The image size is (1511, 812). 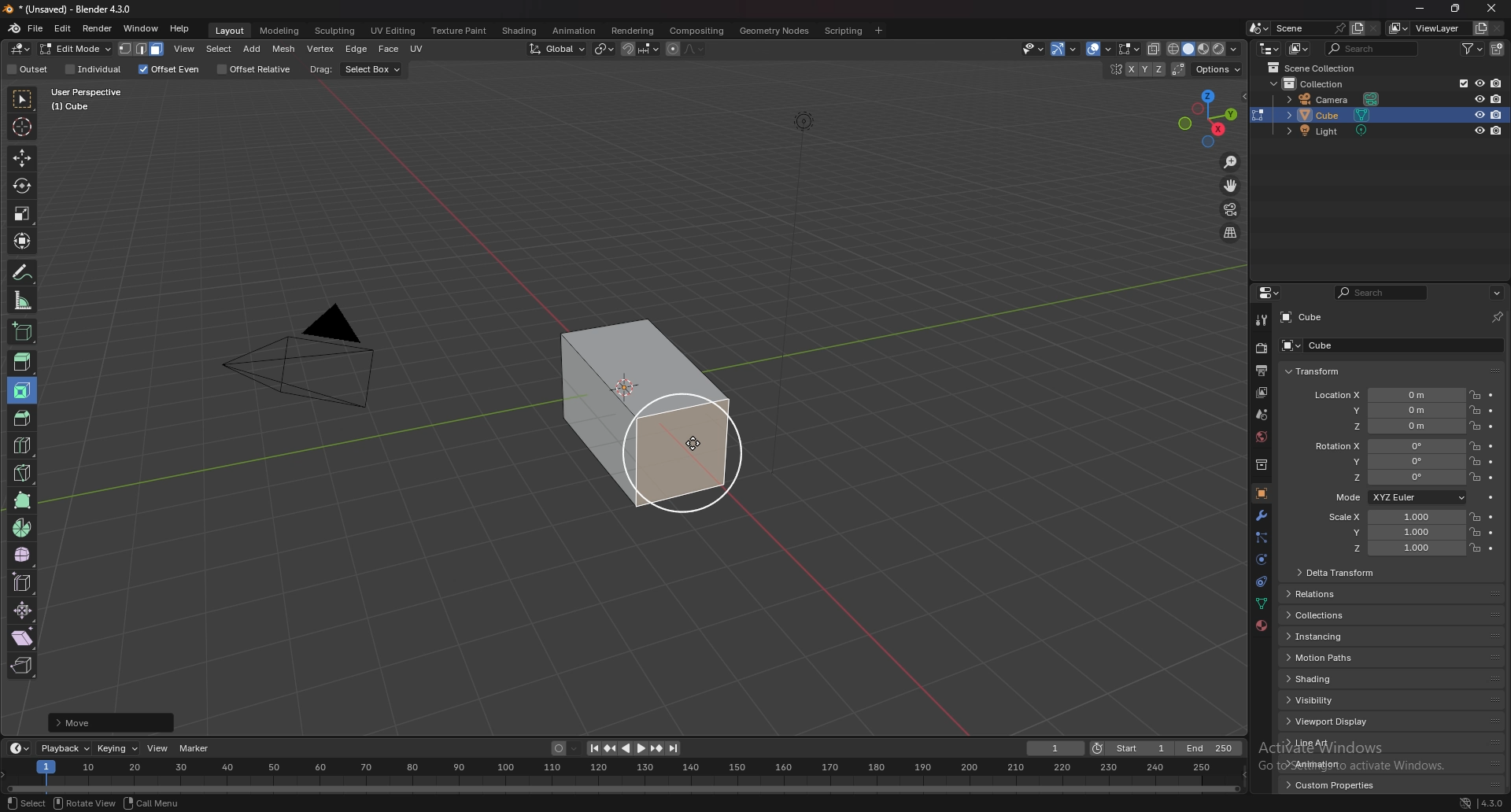 I want to click on use a preset viewpoint, so click(x=1210, y=116).